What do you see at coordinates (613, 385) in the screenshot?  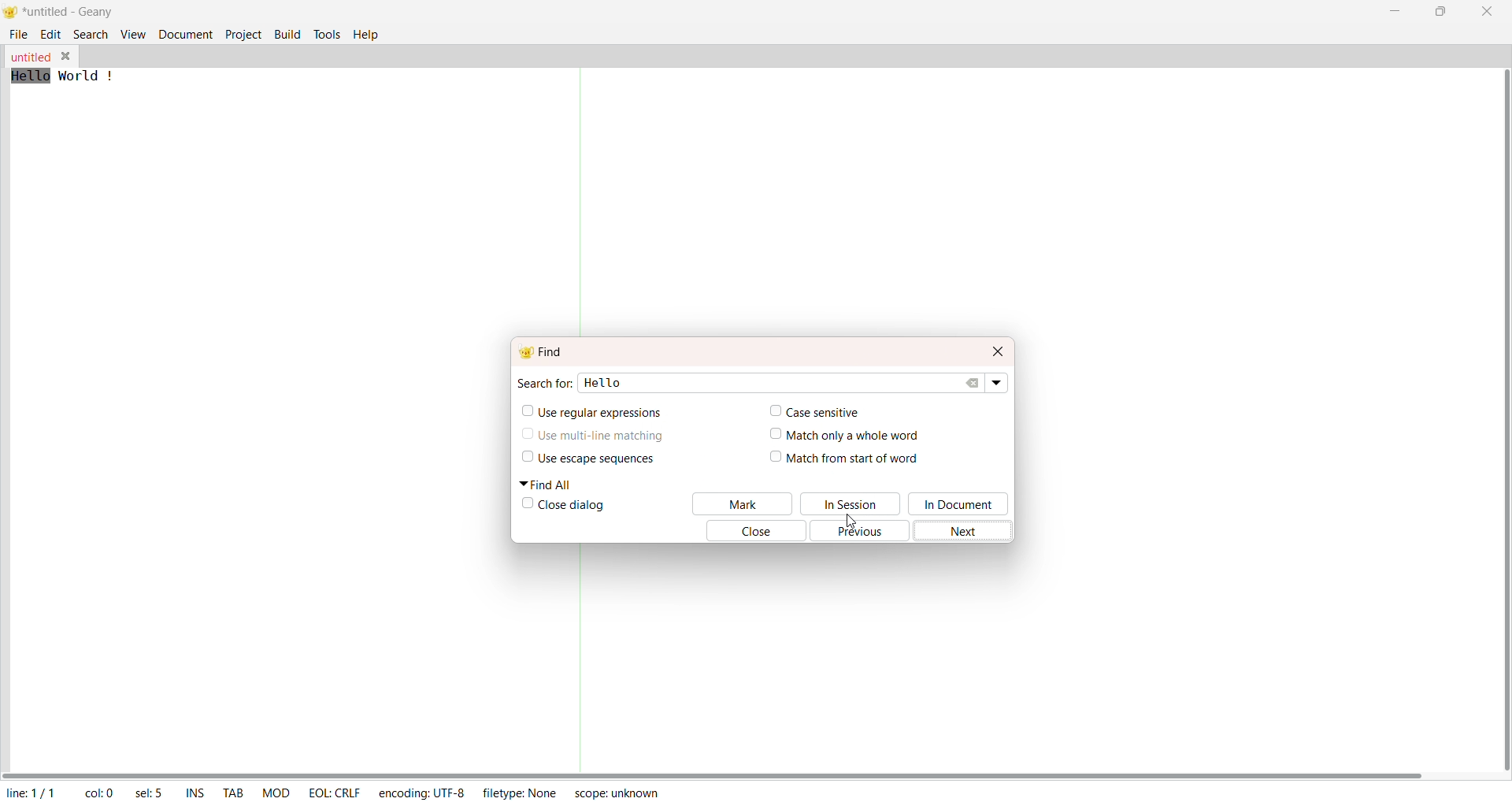 I see `Hello` at bounding box center [613, 385].